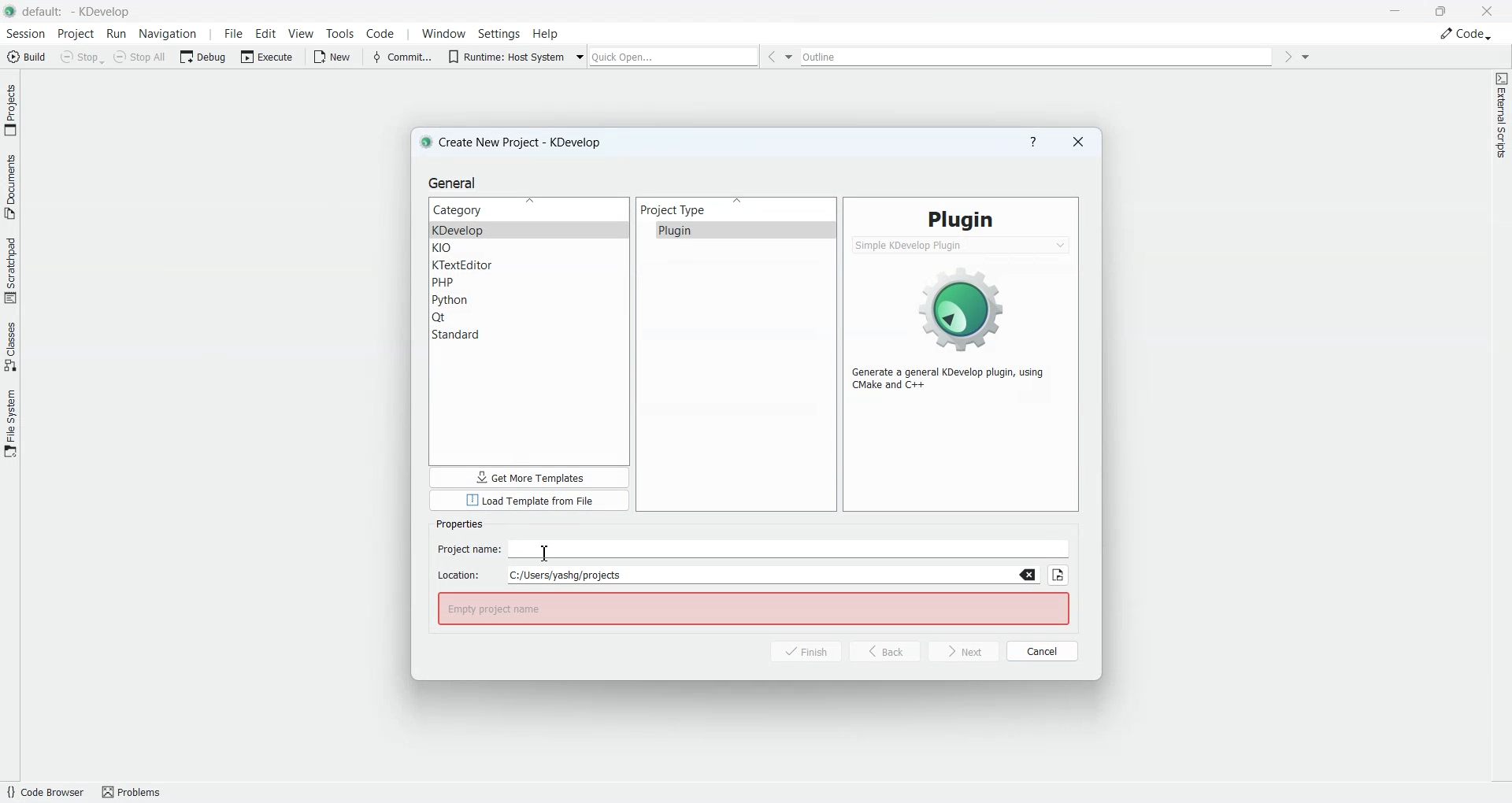  I want to click on Text, so click(753, 609).